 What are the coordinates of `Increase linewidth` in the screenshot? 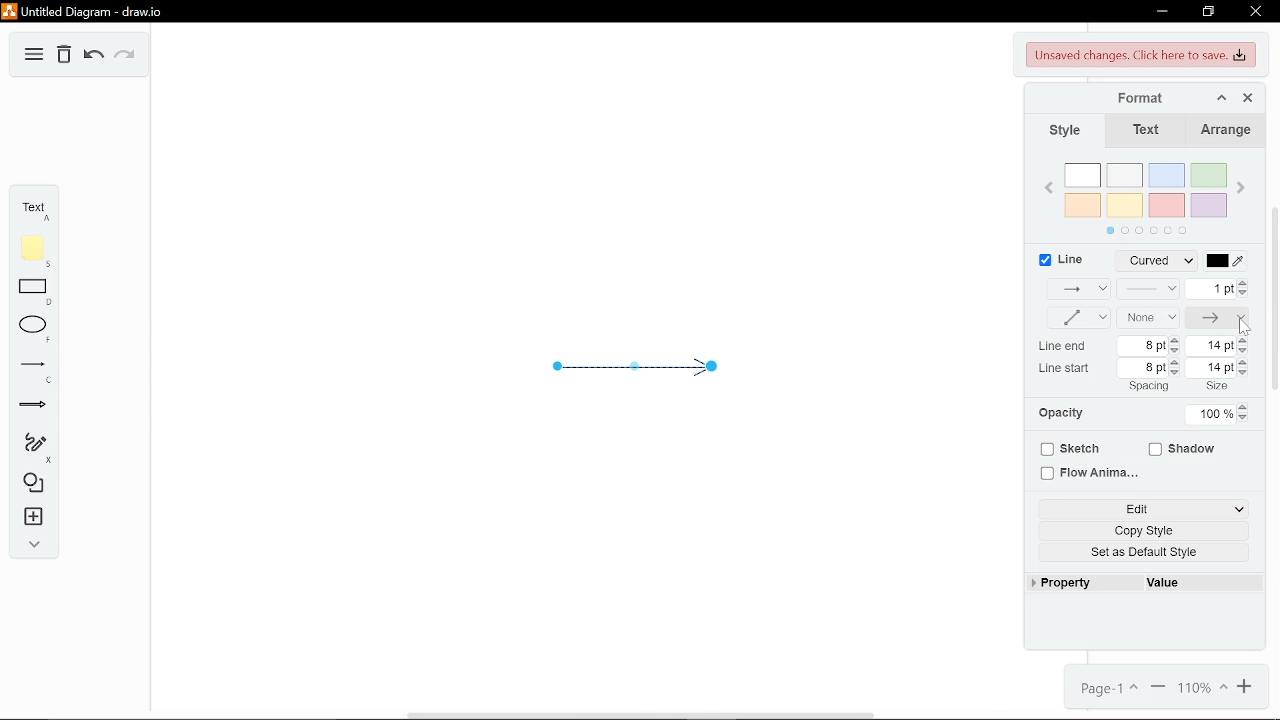 It's located at (1244, 283).